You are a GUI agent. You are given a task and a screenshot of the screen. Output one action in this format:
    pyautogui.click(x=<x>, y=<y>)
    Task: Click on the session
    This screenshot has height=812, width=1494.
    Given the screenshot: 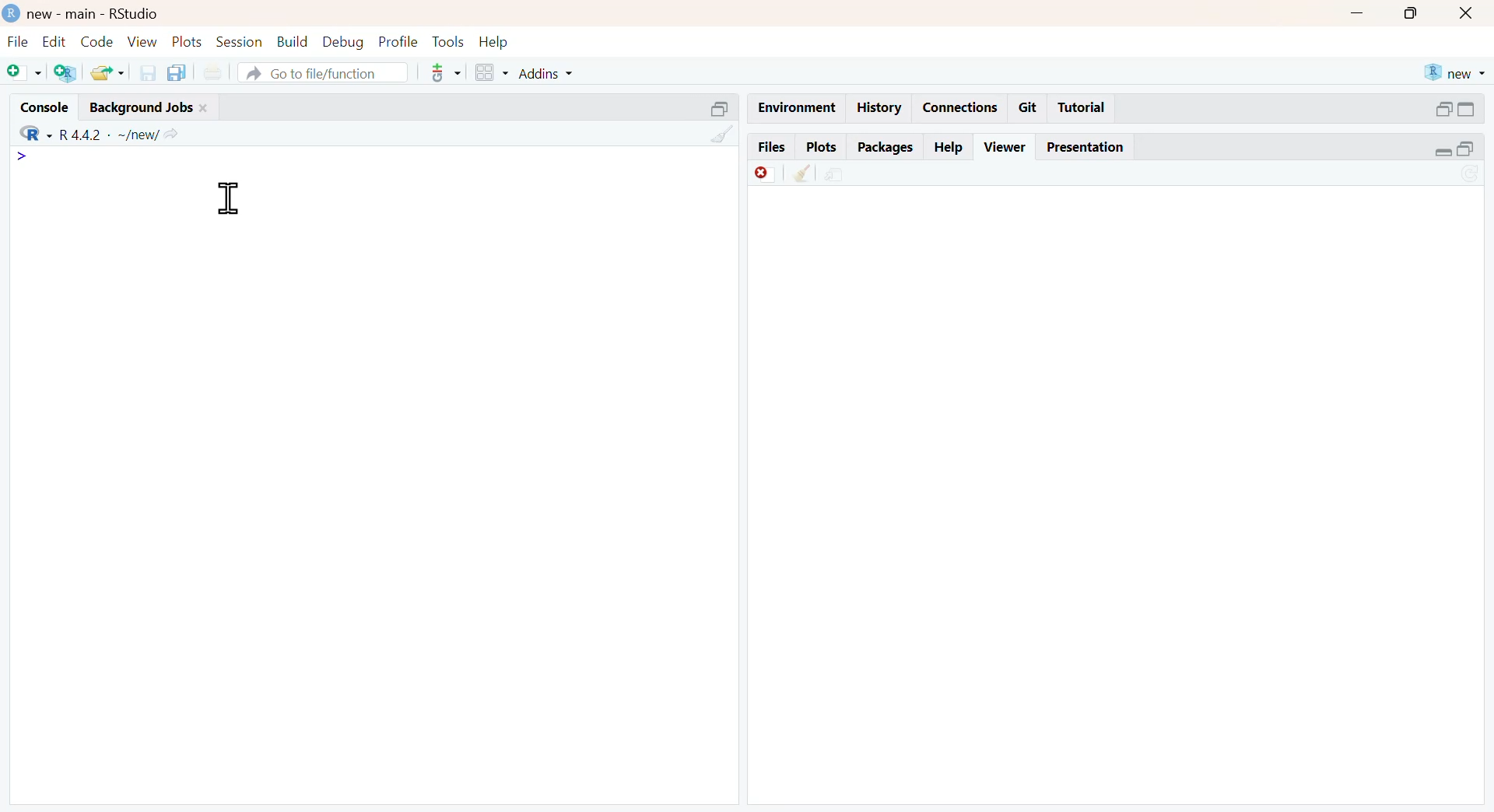 What is the action you would take?
    pyautogui.click(x=240, y=42)
    